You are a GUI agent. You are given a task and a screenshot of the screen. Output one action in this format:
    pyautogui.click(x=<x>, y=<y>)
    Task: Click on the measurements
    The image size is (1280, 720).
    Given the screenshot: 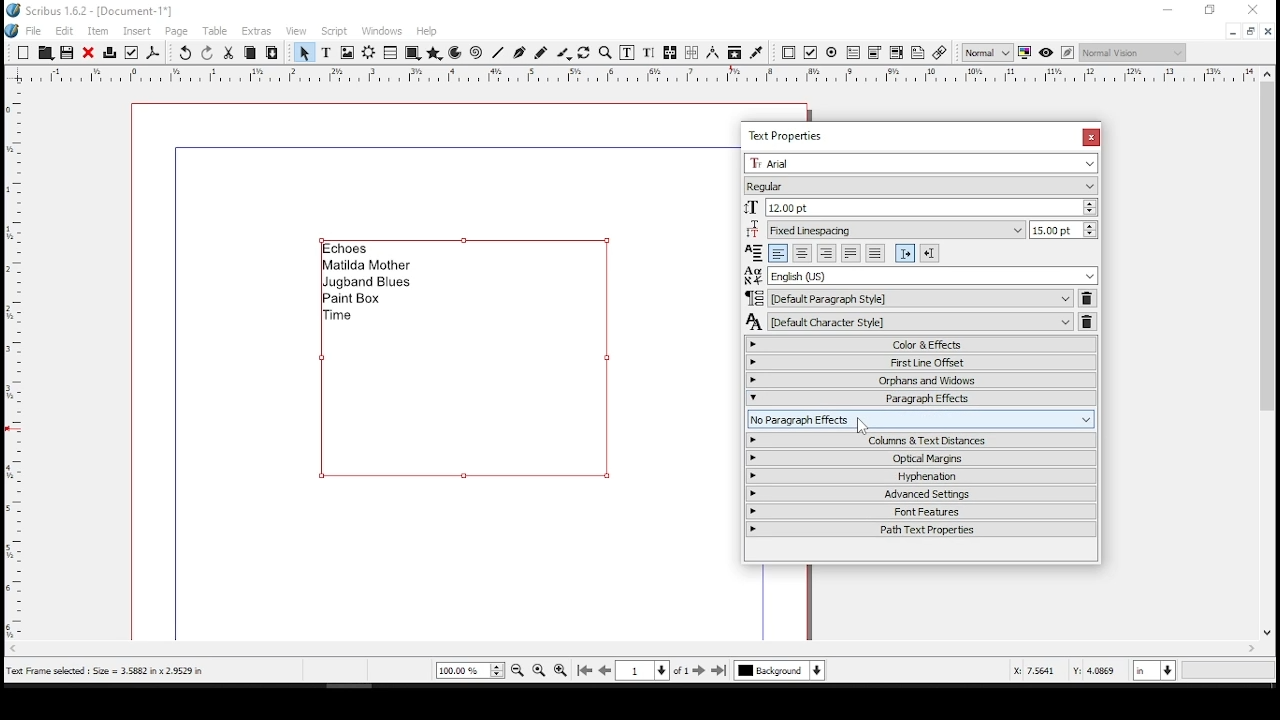 What is the action you would take?
    pyautogui.click(x=712, y=53)
    